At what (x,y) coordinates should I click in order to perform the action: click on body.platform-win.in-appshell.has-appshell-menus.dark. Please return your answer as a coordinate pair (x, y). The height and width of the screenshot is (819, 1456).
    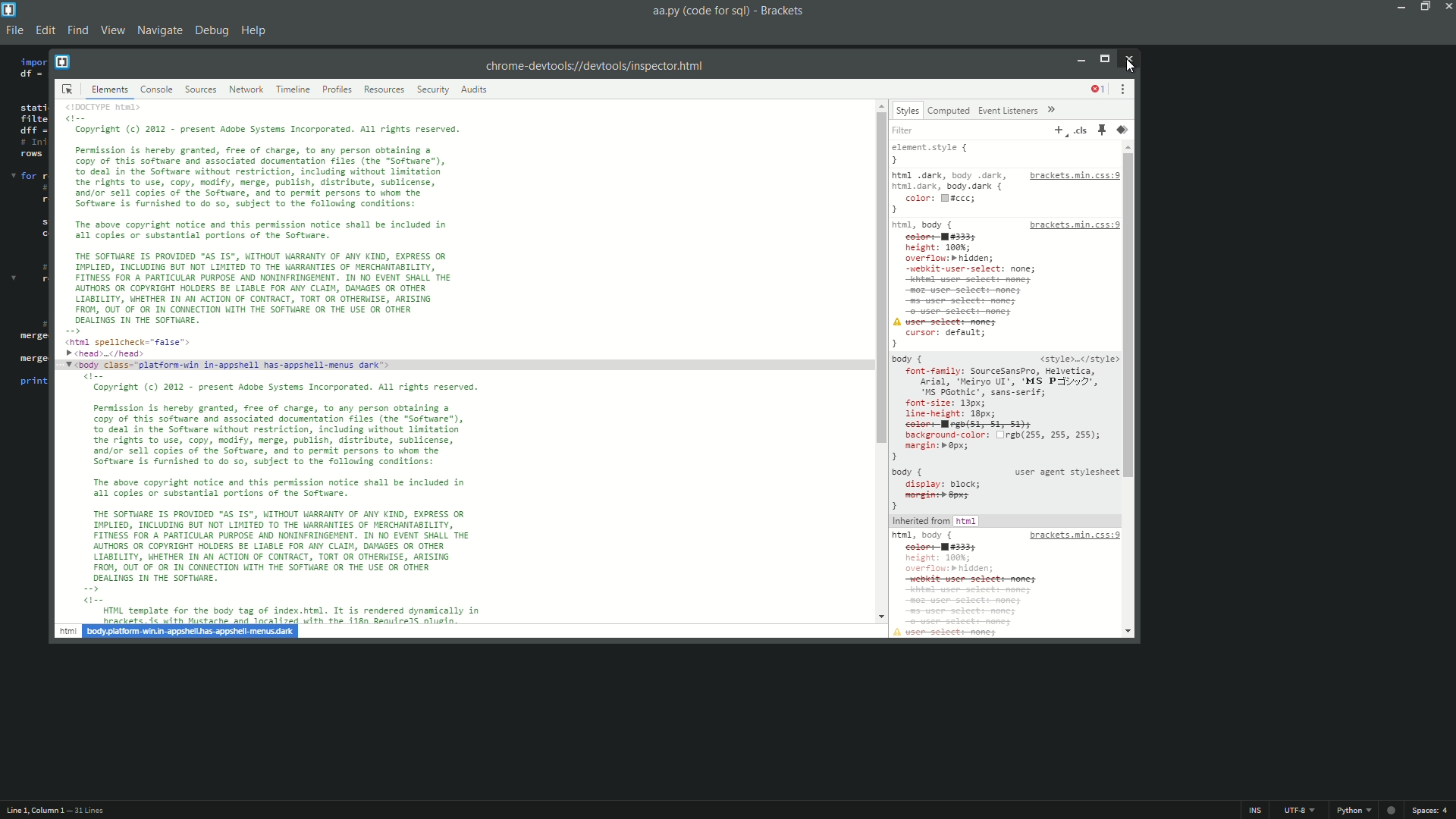
    Looking at the image, I should click on (190, 631).